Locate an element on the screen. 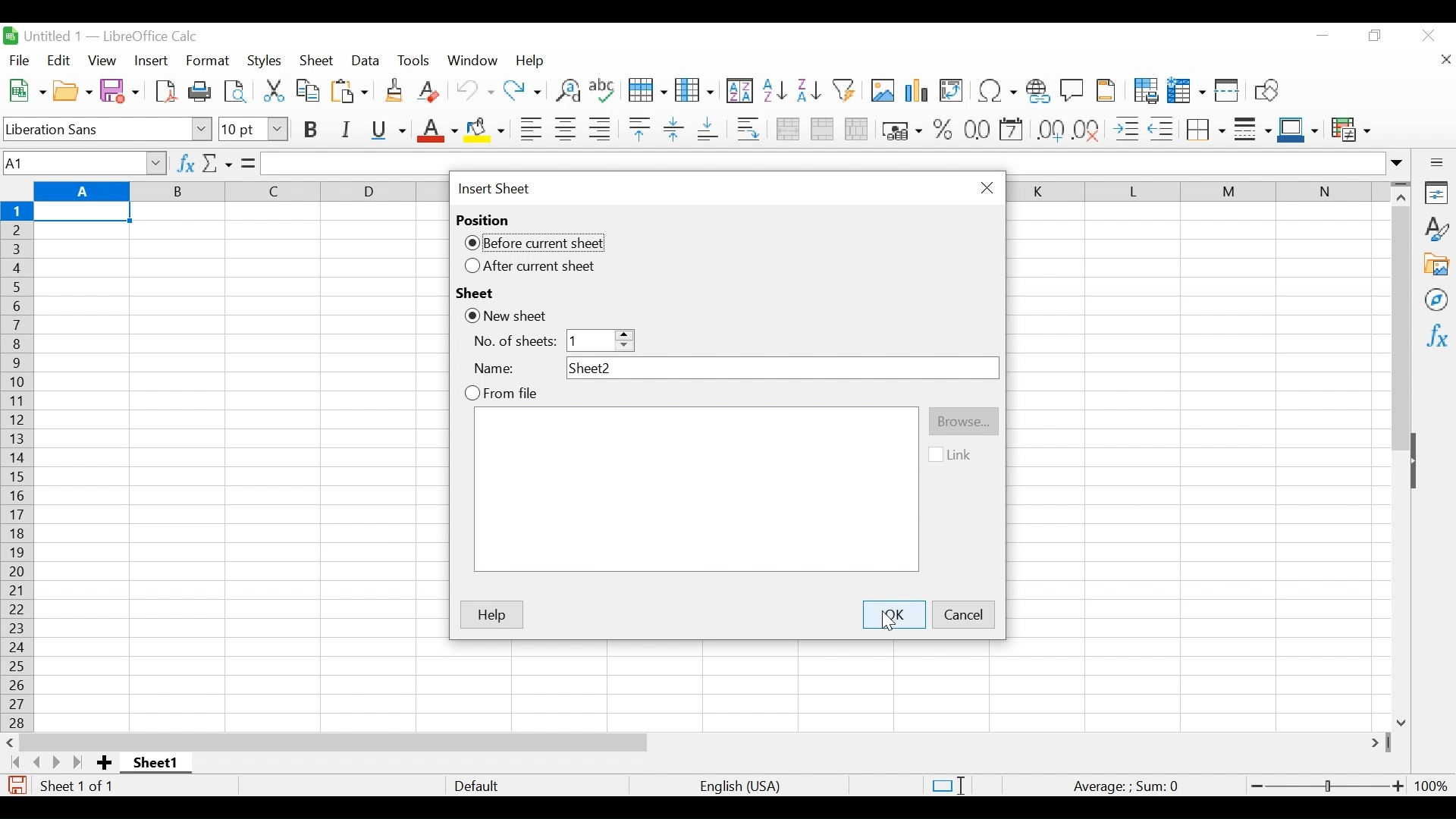 The image size is (1456, 819). format as Date is located at coordinates (1012, 131).